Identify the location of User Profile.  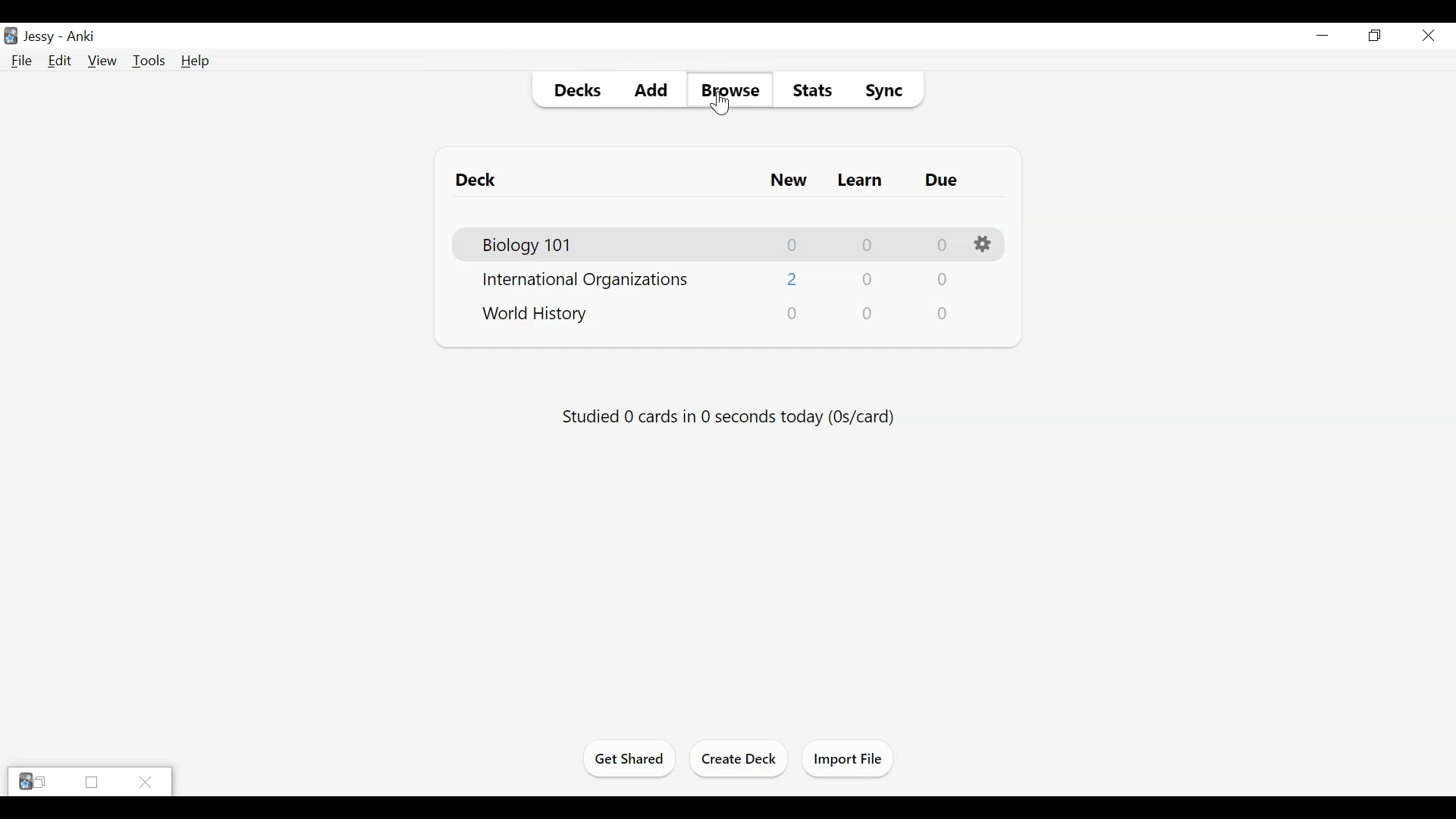
(39, 38).